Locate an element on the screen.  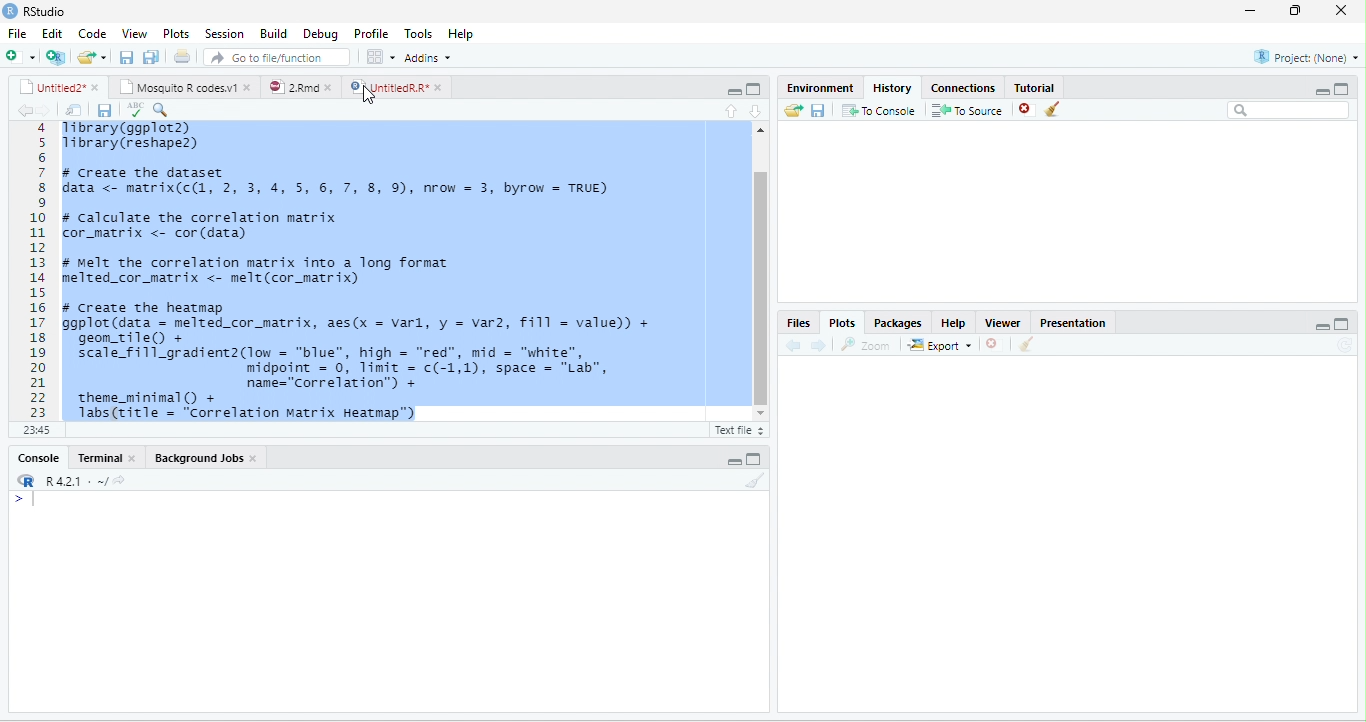
code is located at coordinates (92, 34).